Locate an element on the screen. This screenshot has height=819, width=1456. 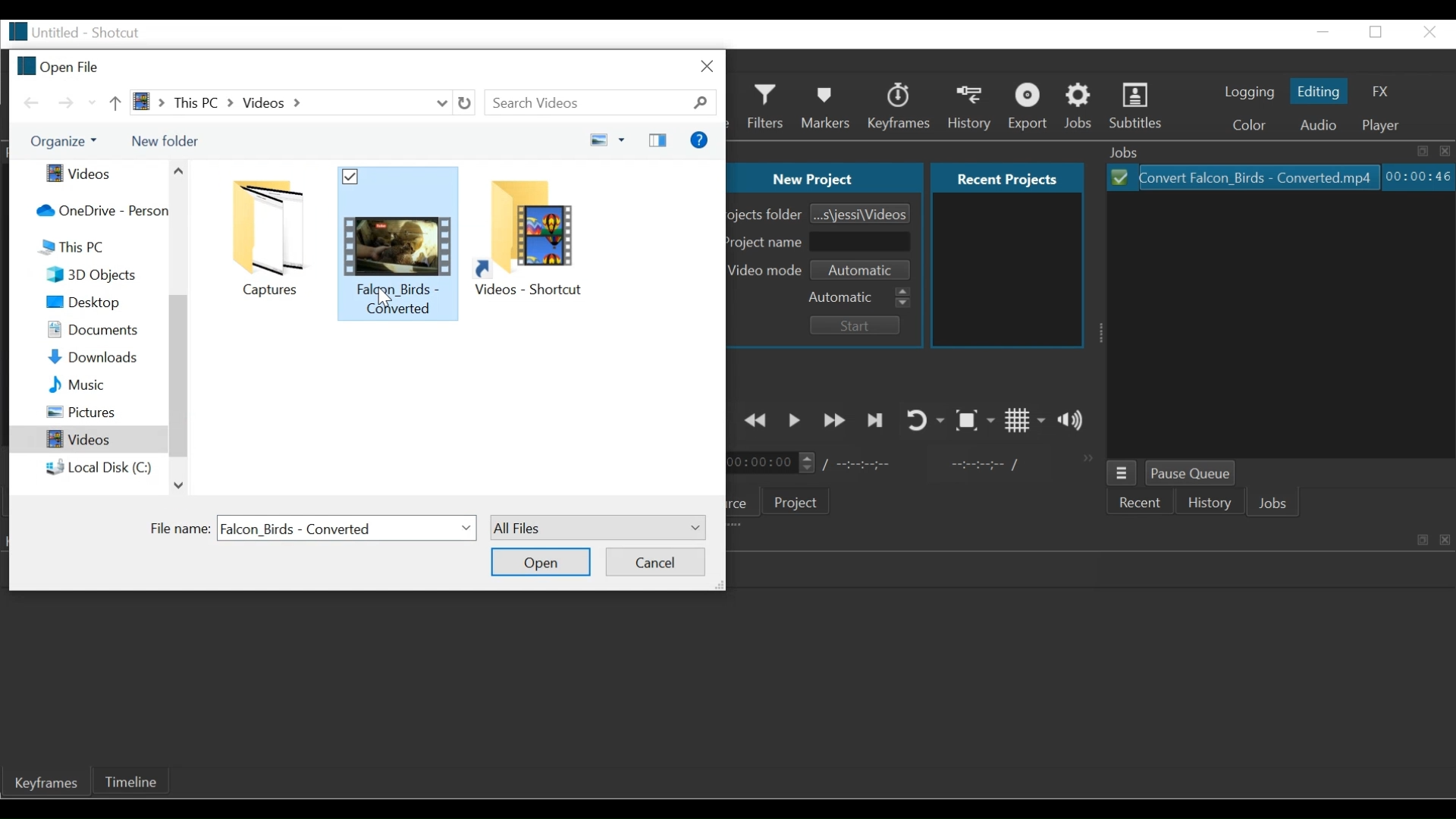
History is located at coordinates (971, 108).